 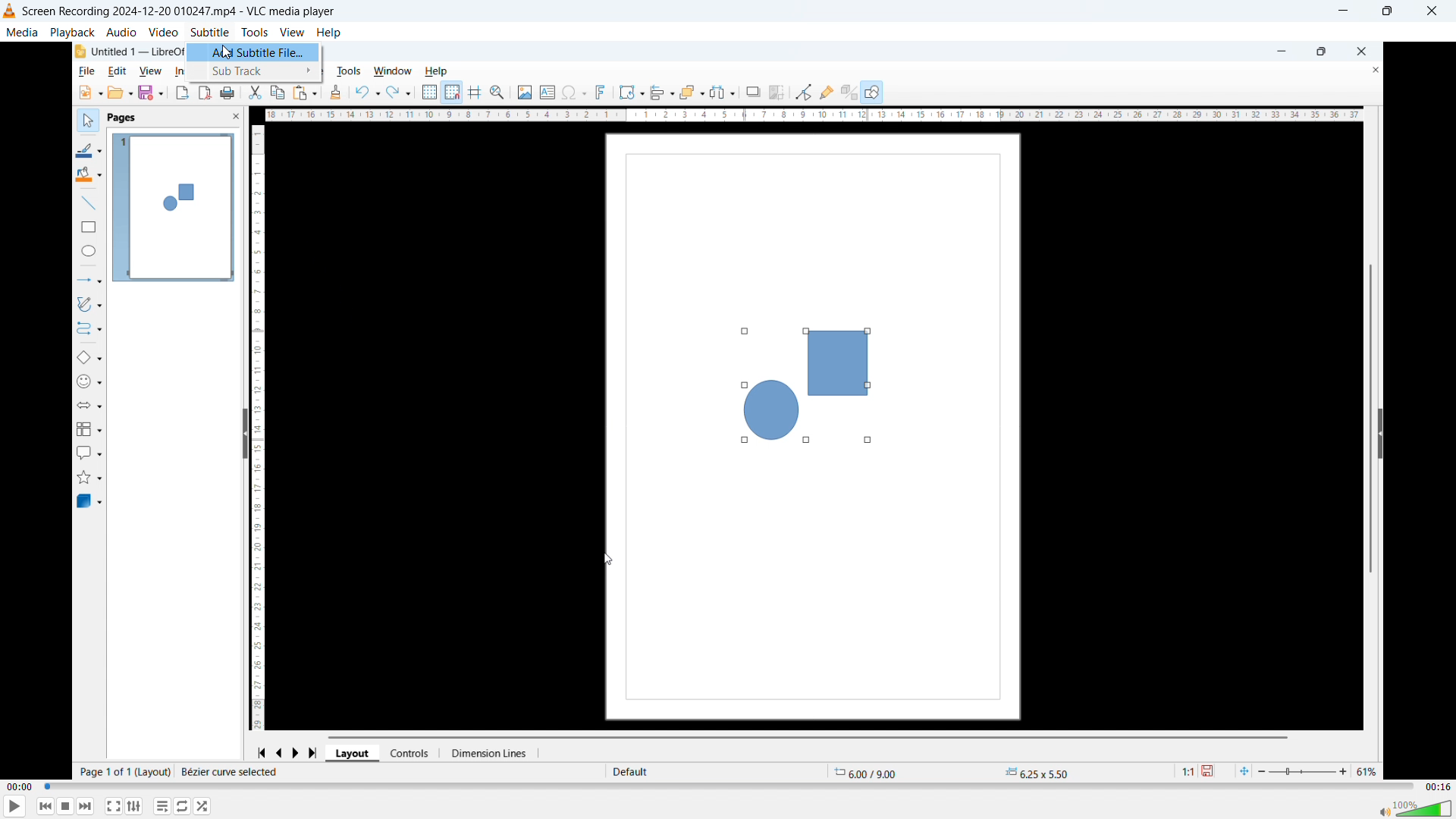 What do you see at coordinates (253, 71) in the screenshot?
I see `Sub track ` at bounding box center [253, 71].